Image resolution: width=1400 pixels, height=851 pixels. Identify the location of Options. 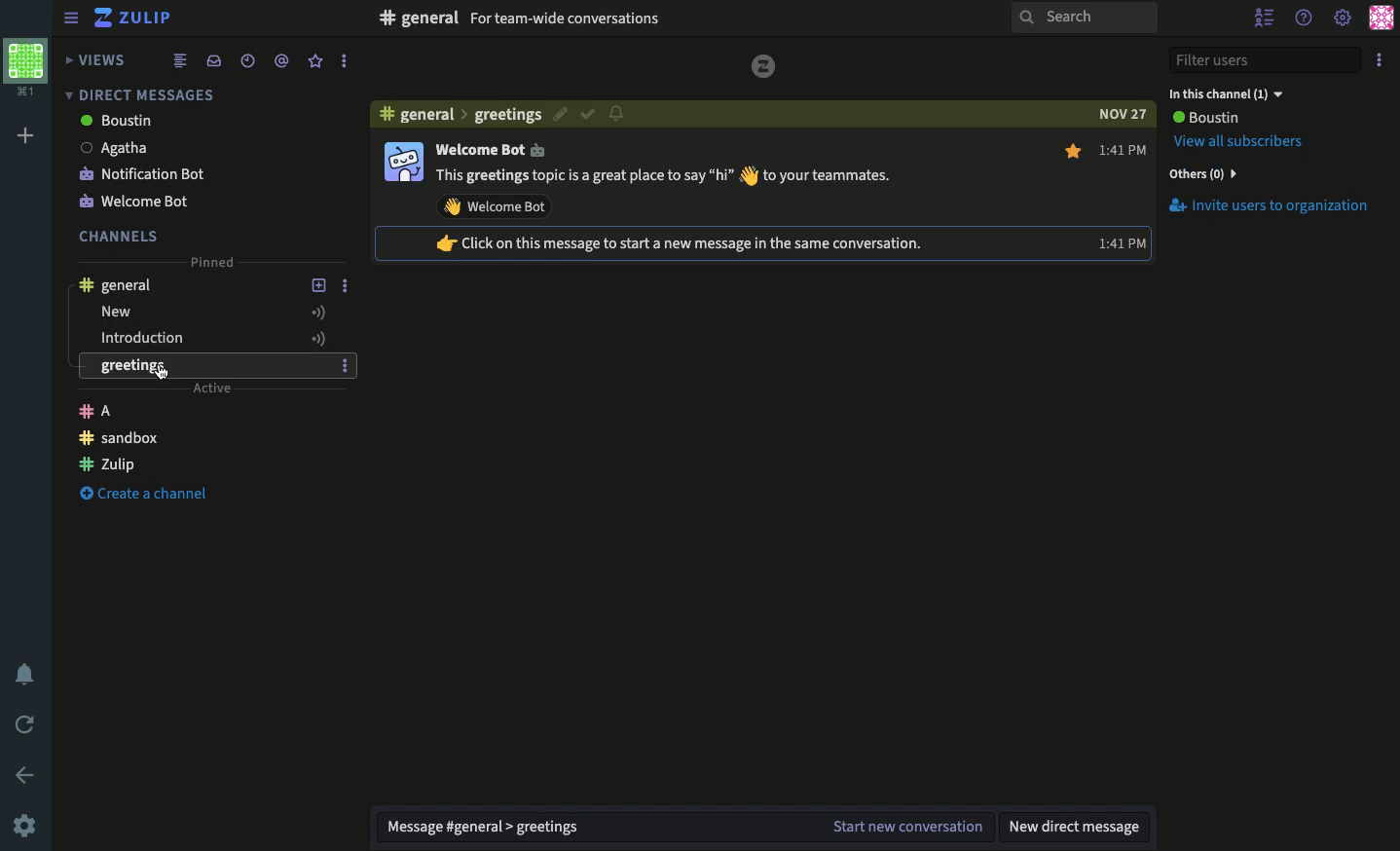
(345, 286).